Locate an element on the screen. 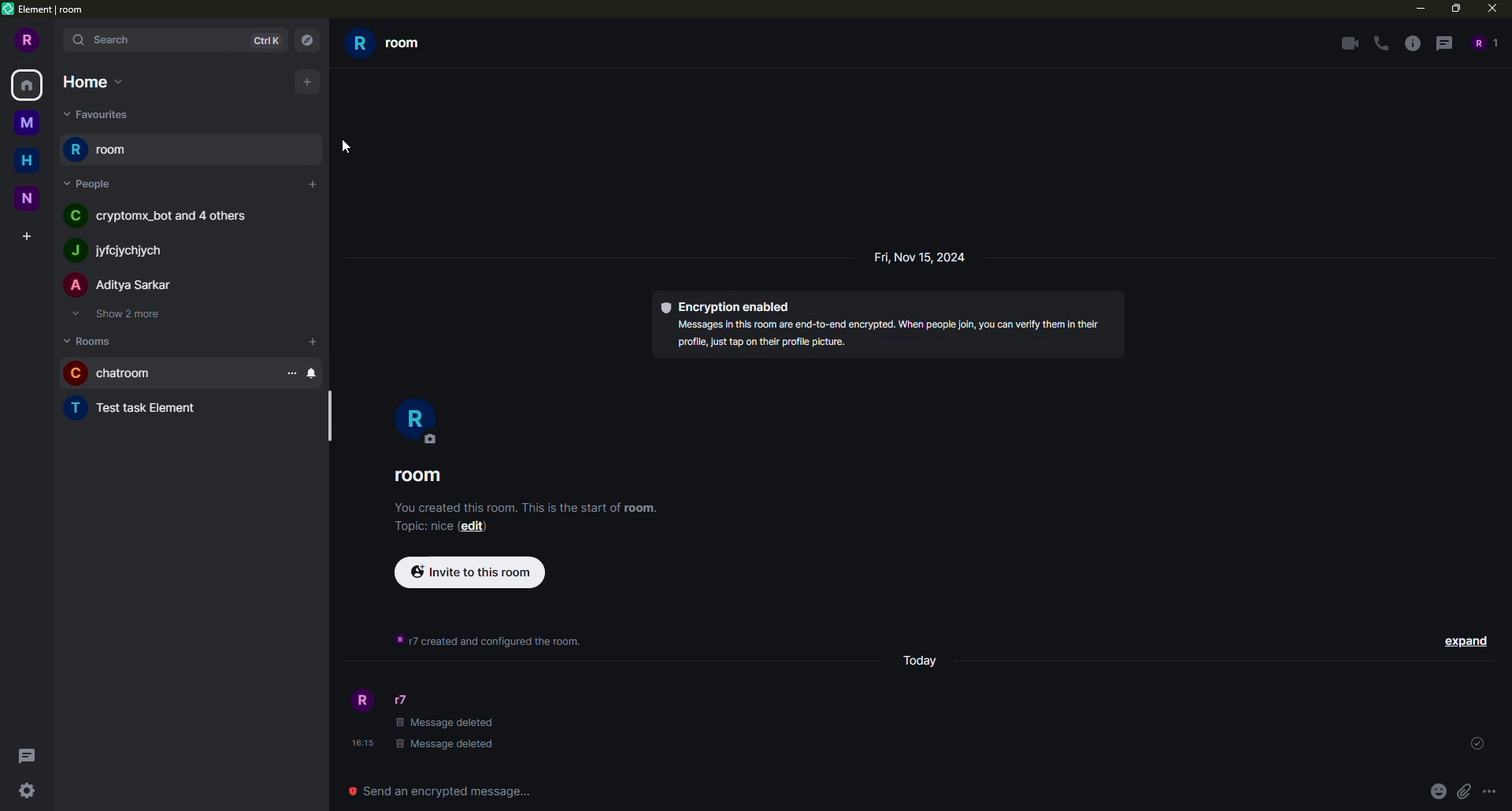  profile is located at coordinates (361, 700).